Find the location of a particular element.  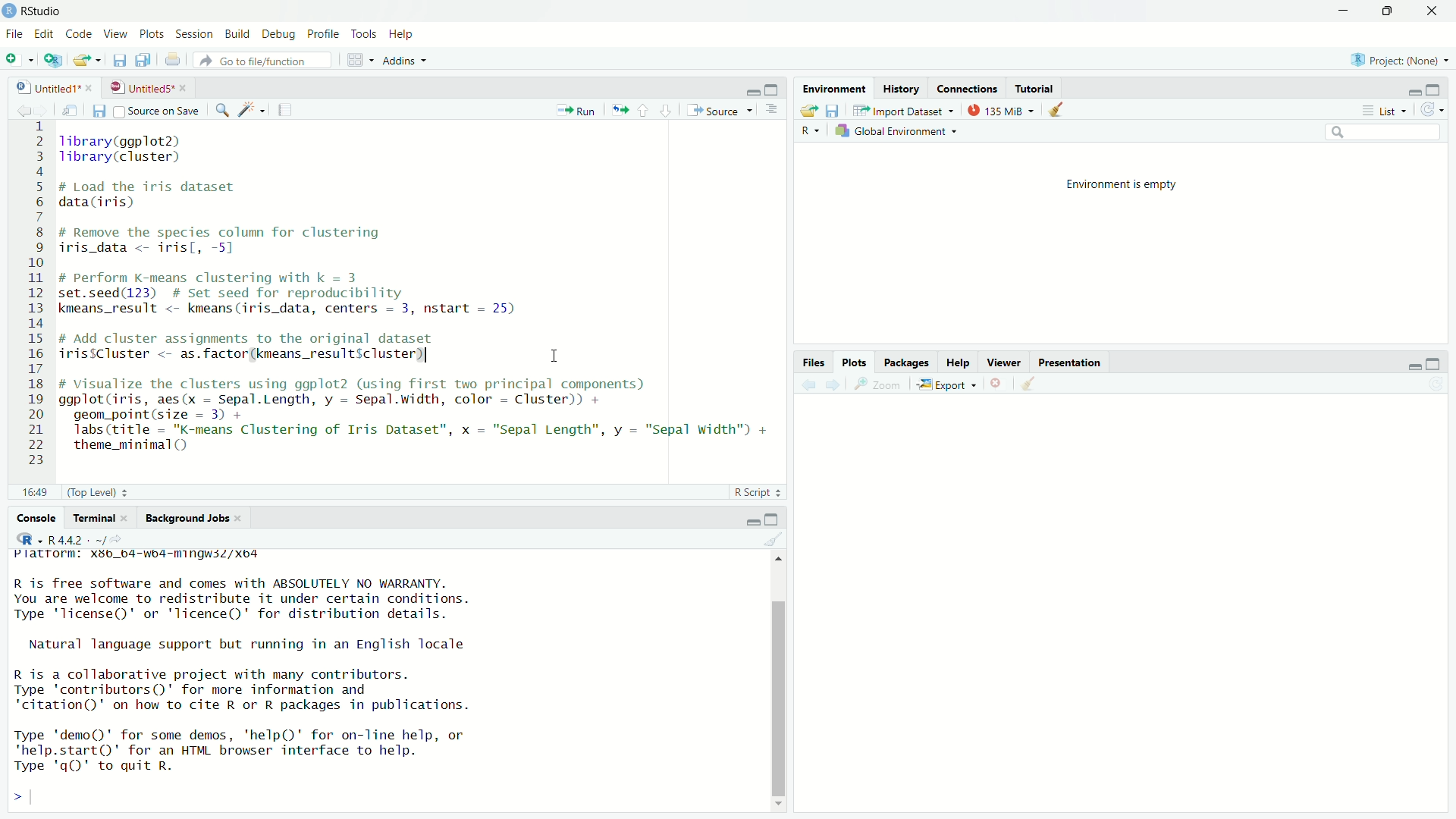

help is located at coordinates (960, 360).